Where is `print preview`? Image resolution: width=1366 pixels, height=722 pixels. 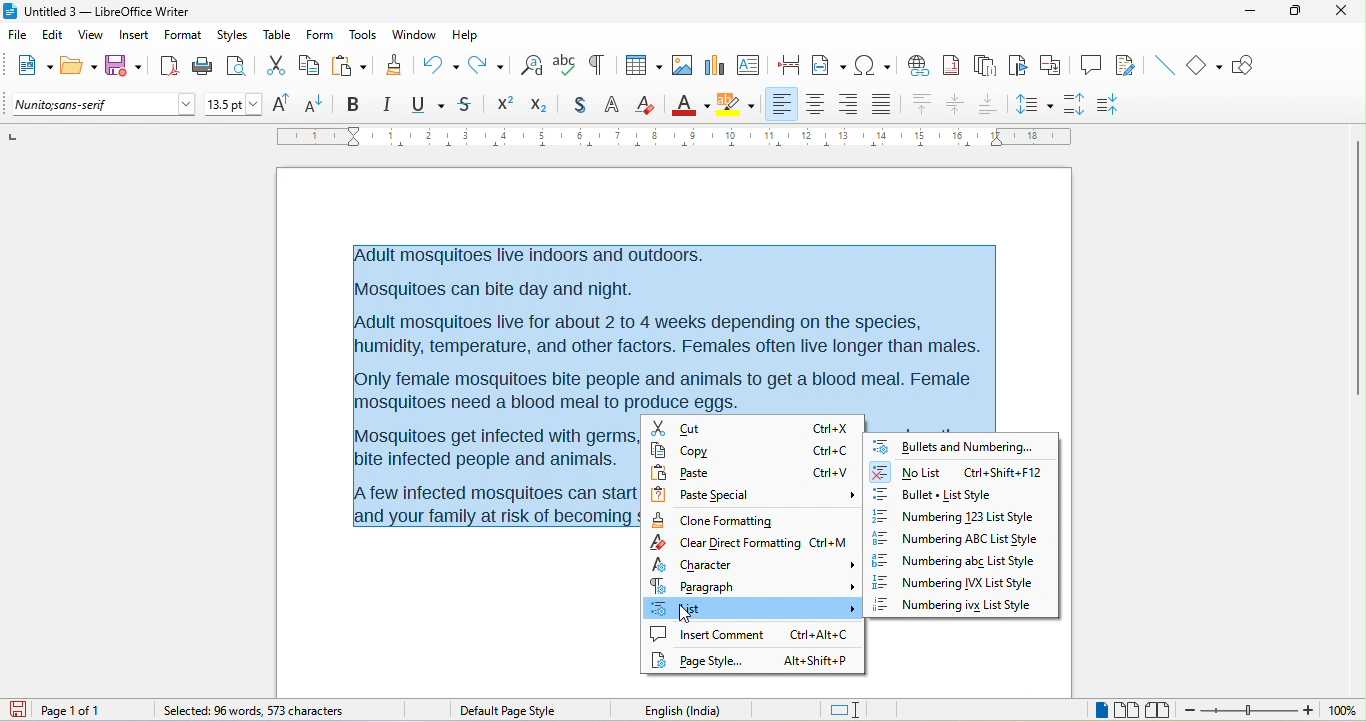
print preview is located at coordinates (241, 64).